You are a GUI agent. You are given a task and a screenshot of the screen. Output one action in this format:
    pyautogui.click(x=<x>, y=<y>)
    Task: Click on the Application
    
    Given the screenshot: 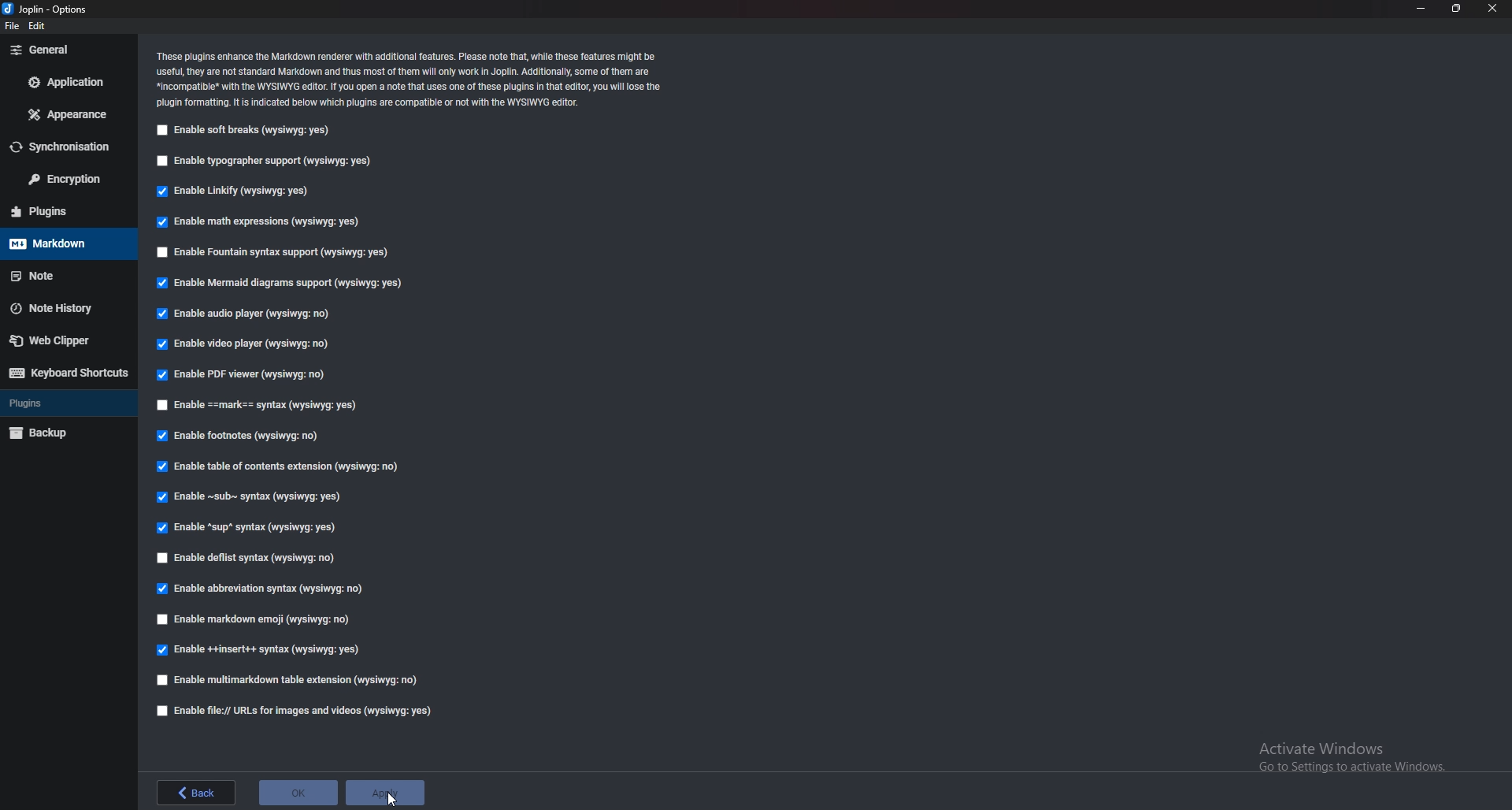 What is the action you would take?
    pyautogui.click(x=72, y=82)
    